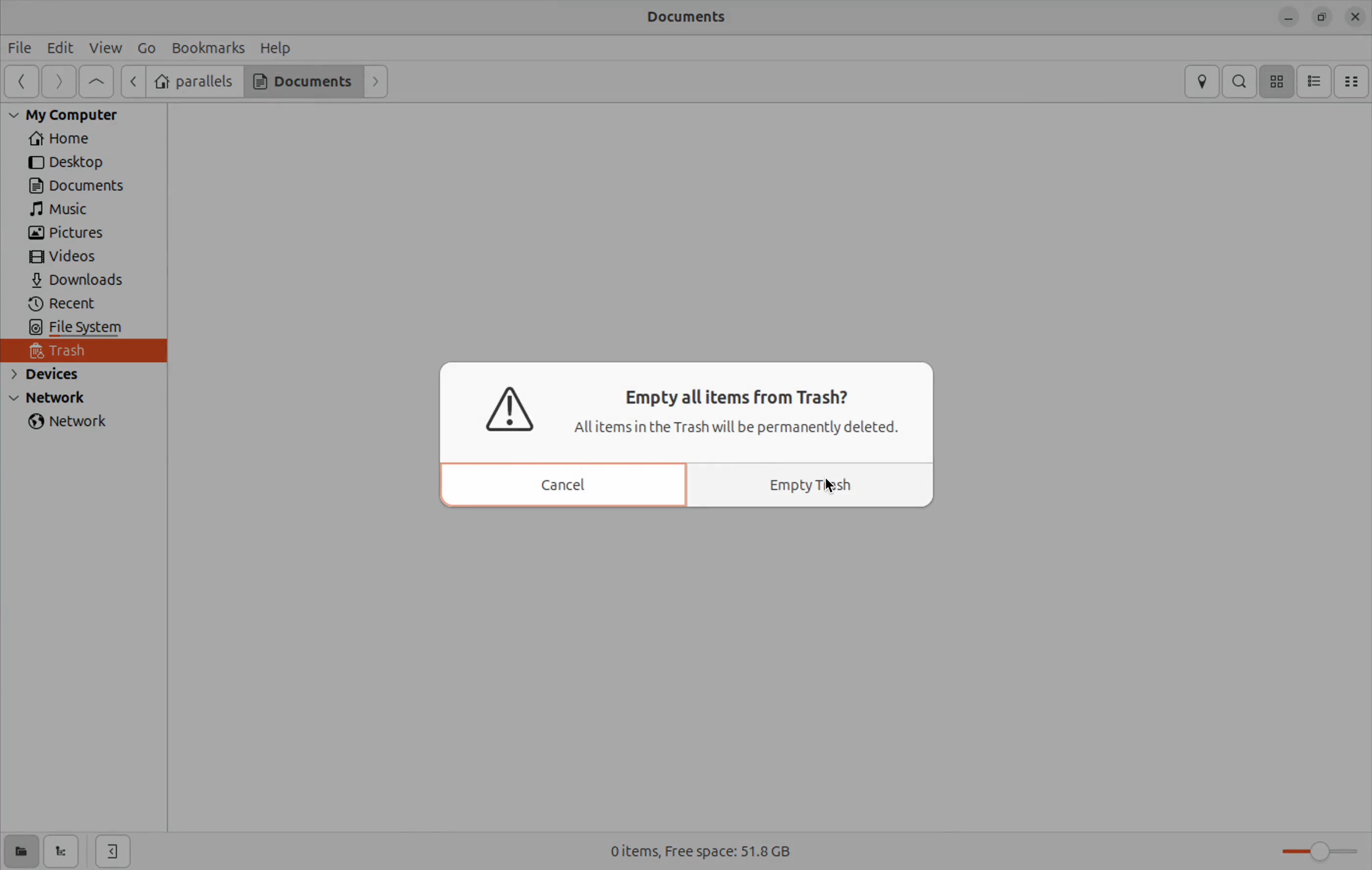 The height and width of the screenshot is (870, 1372). I want to click on cancel, so click(565, 486).